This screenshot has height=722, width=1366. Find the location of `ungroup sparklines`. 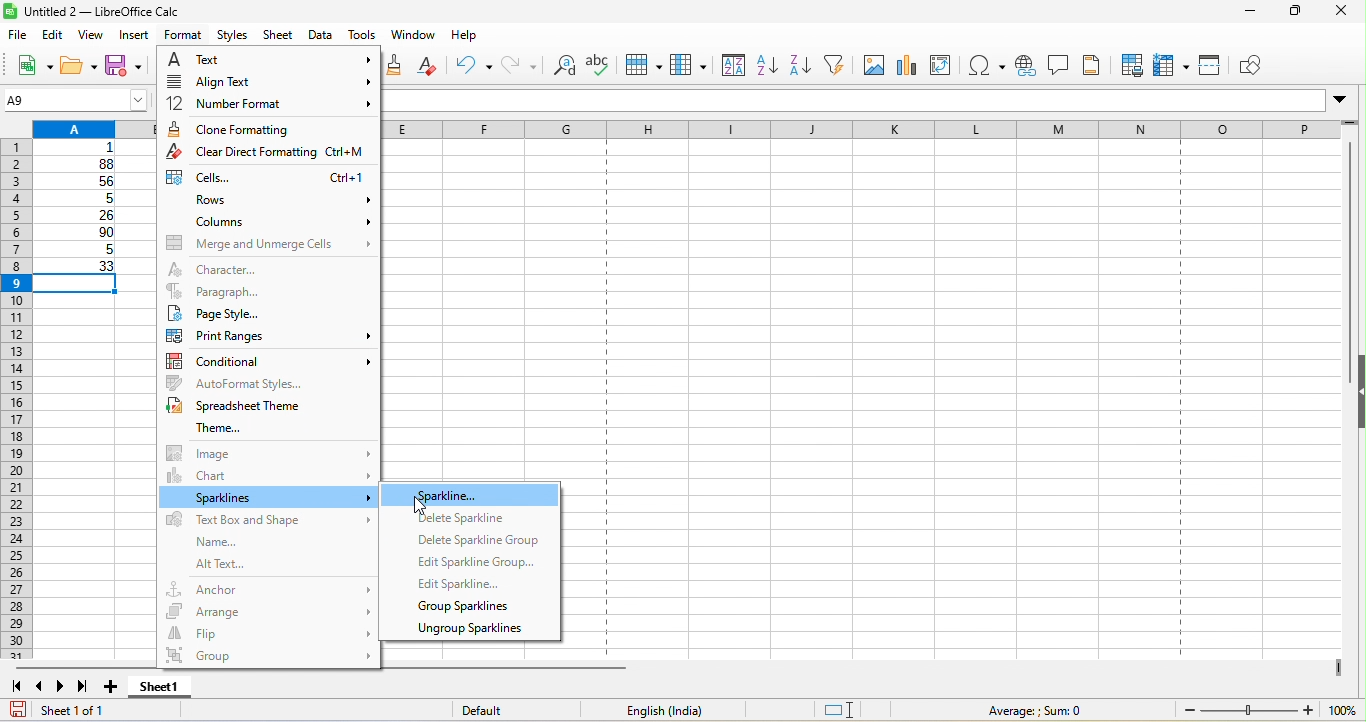

ungroup sparklines is located at coordinates (469, 631).